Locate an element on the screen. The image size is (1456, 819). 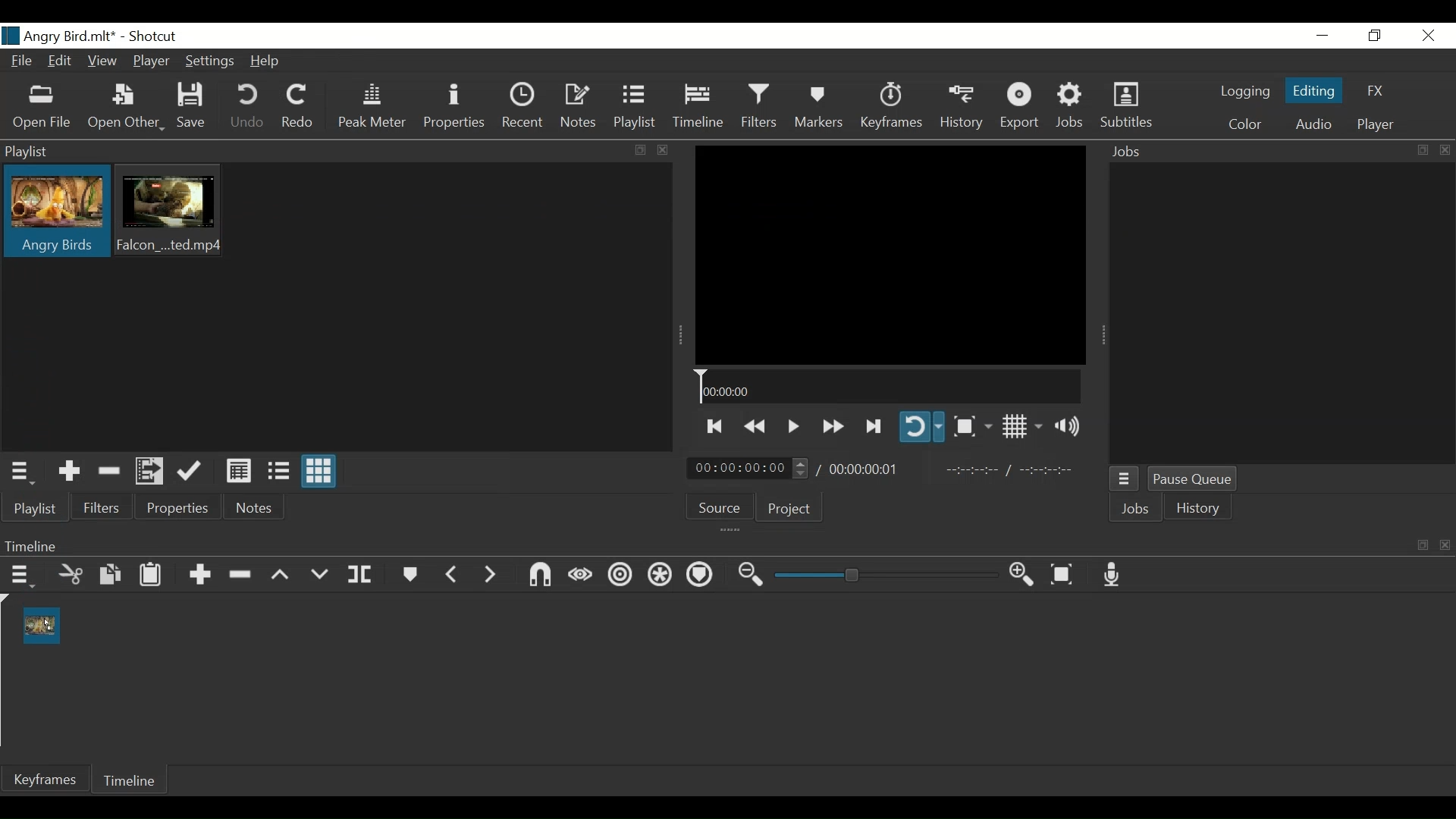
Filters is located at coordinates (104, 509).